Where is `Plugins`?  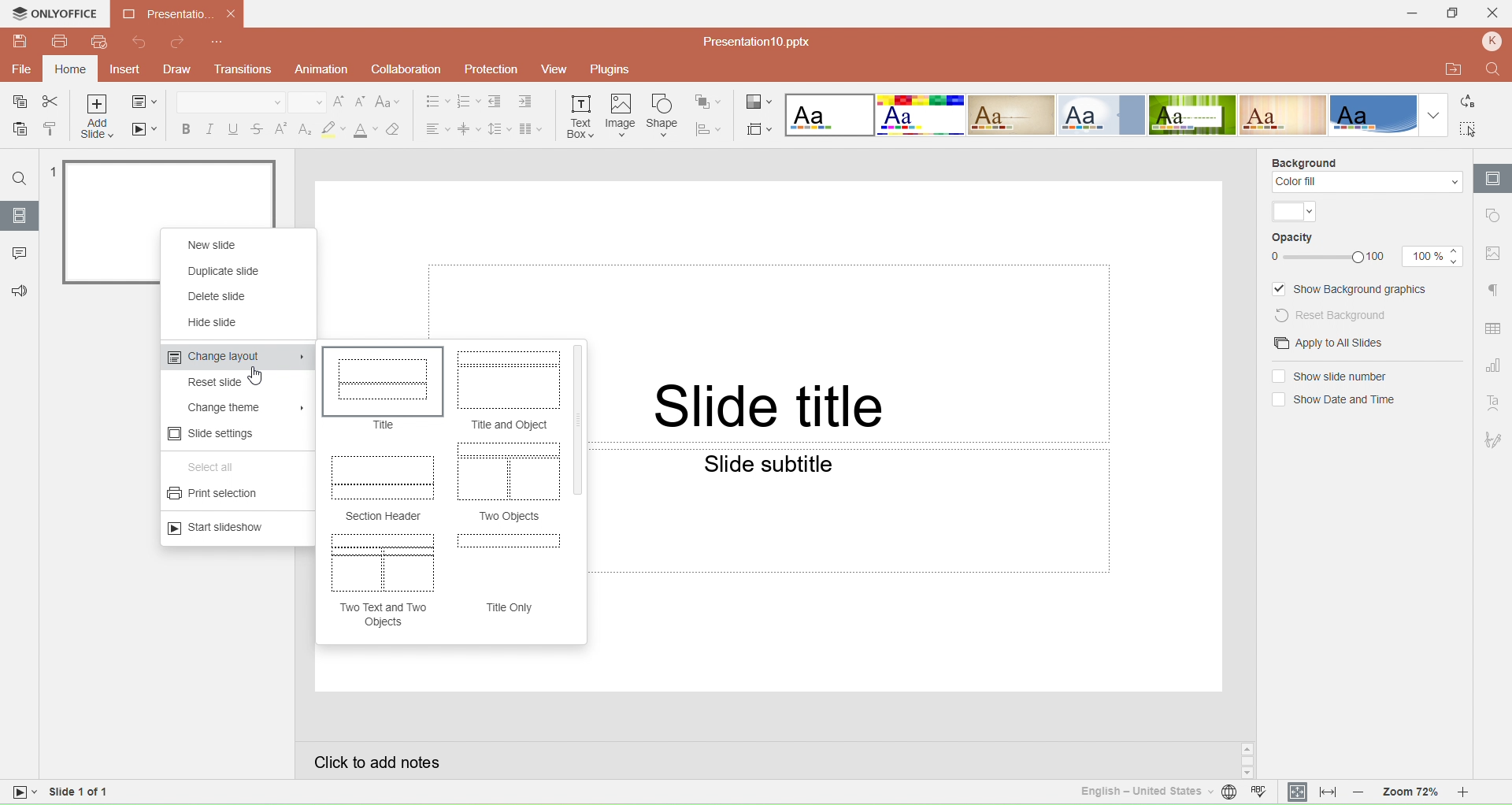
Plugins is located at coordinates (617, 70).